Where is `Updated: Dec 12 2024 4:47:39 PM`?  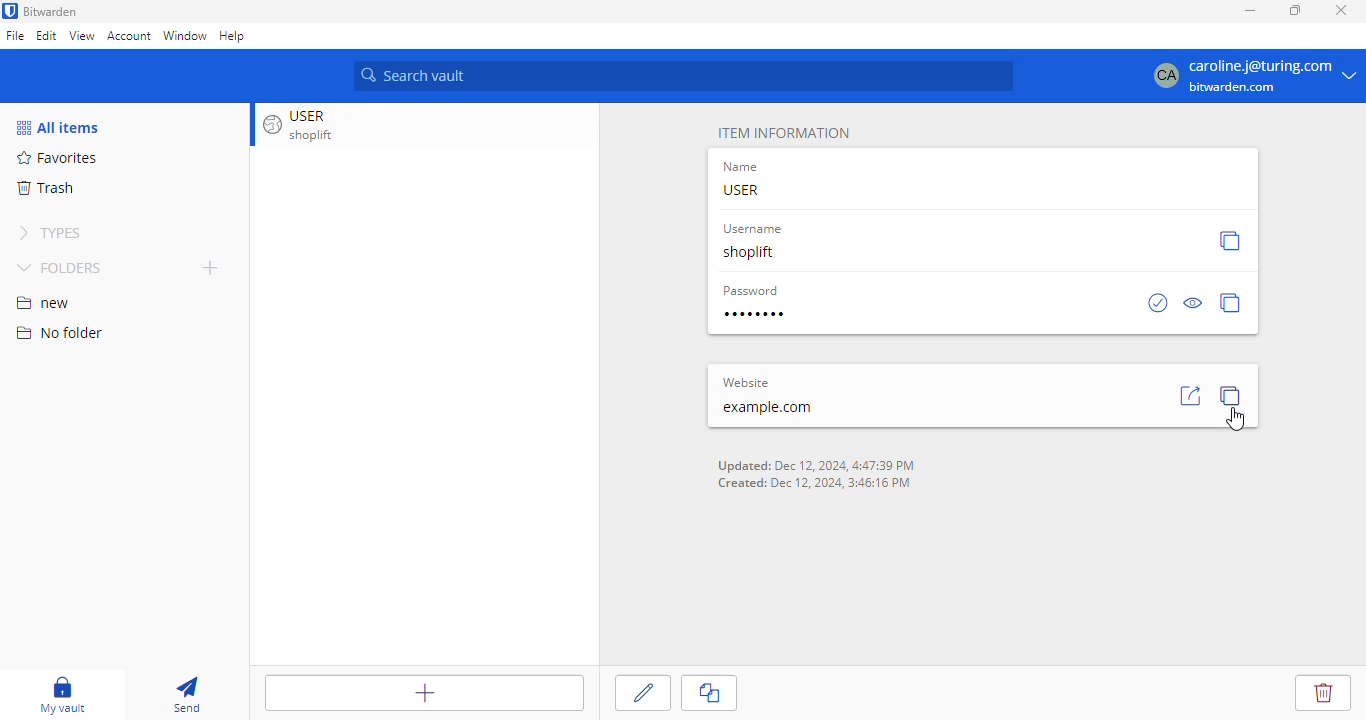
Updated: Dec 12 2024 4:47:39 PM is located at coordinates (814, 464).